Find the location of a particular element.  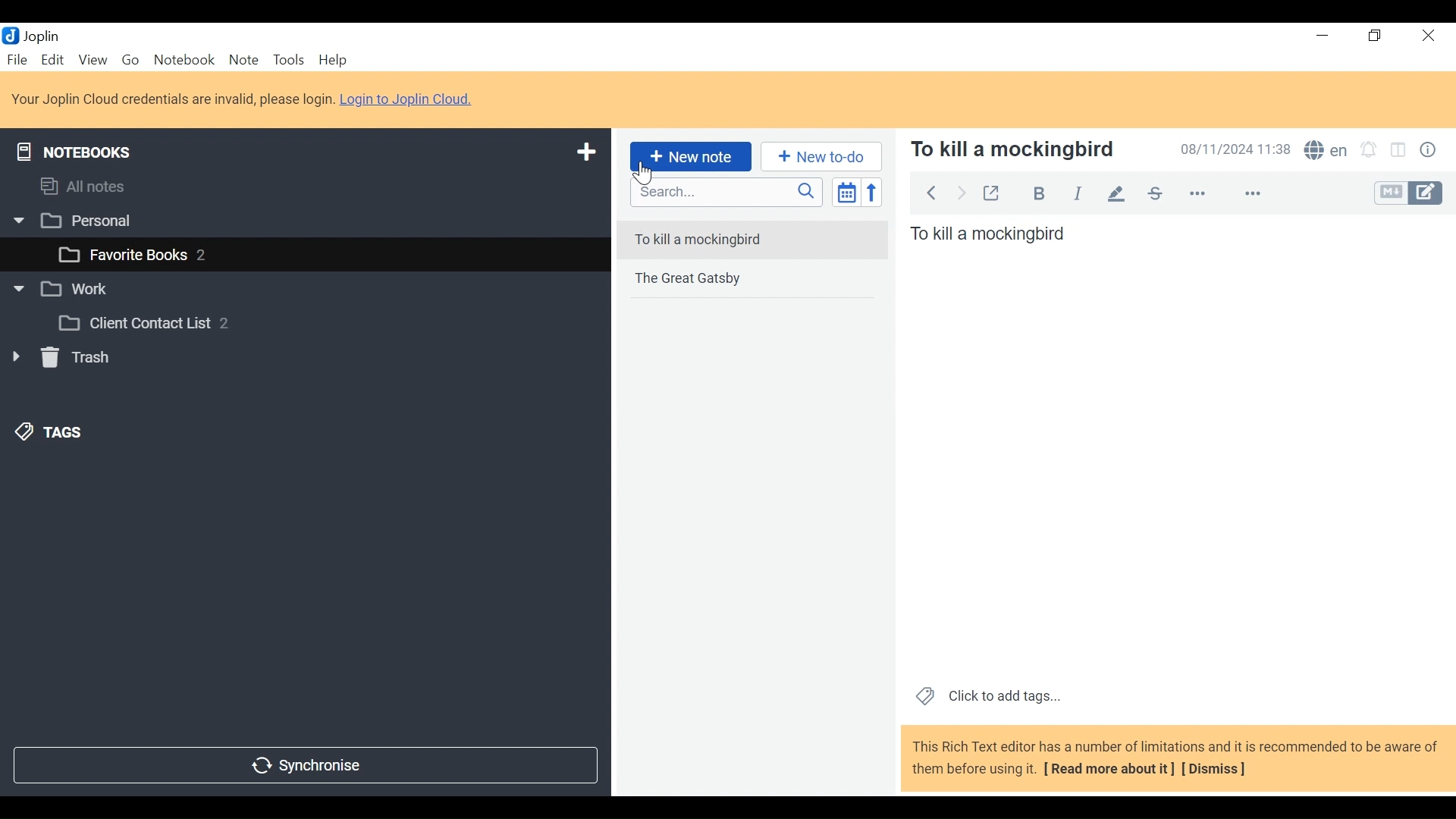

Toggle Editor is located at coordinates (1413, 193).